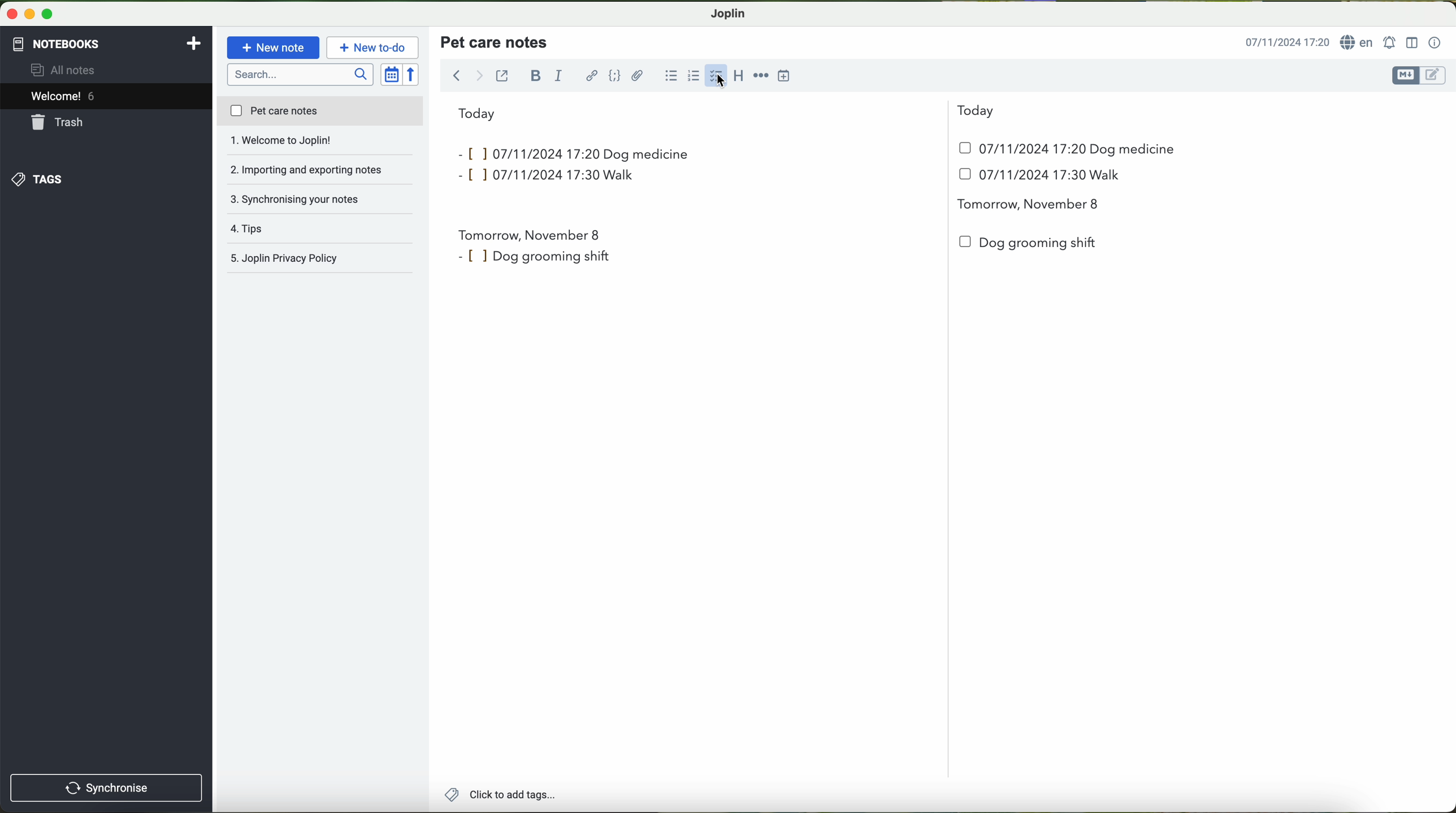 The height and width of the screenshot is (813, 1456). I want to click on tags, so click(36, 179).